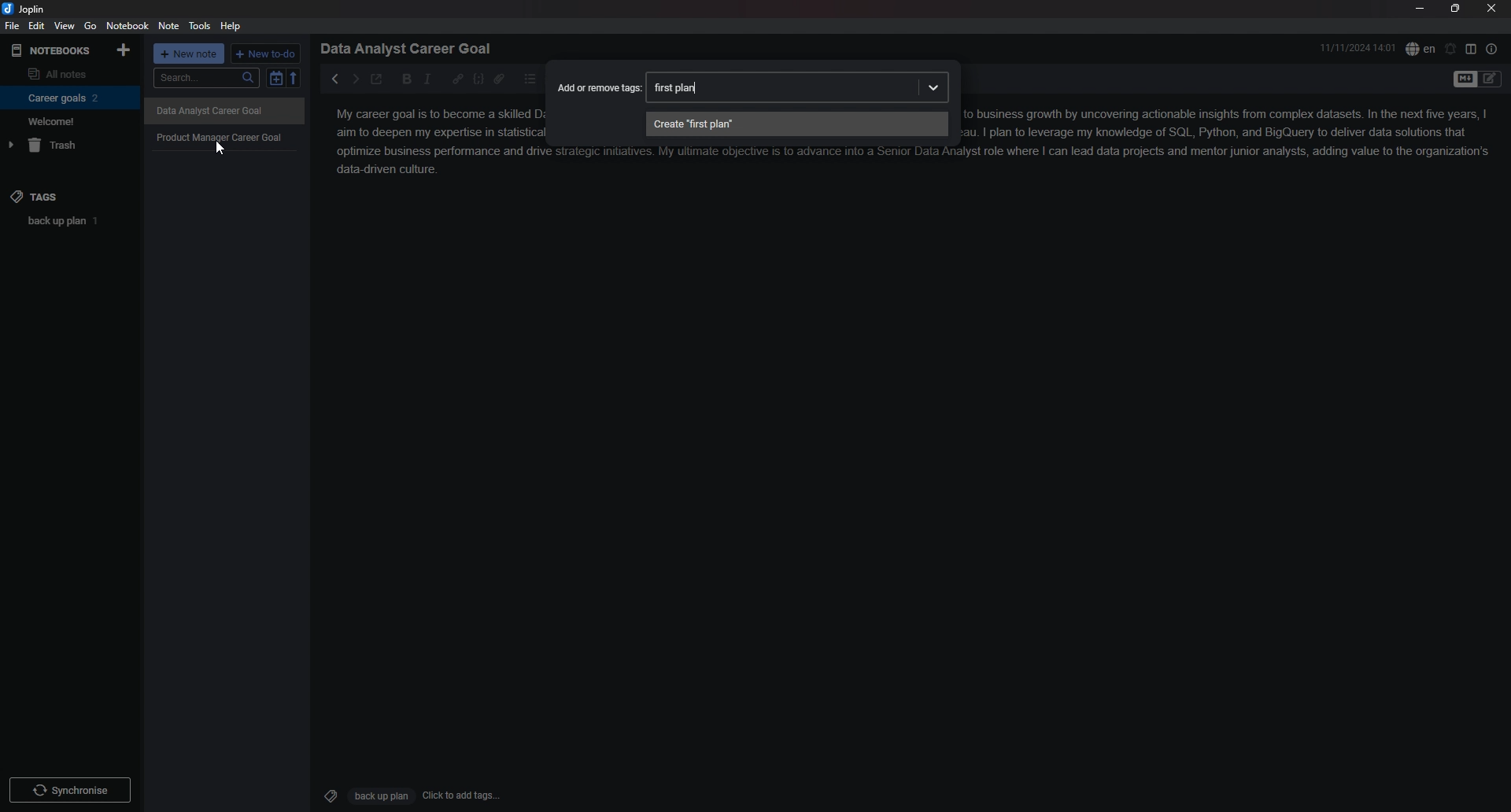 The image size is (1511, 812). Describe the element at coordinates (69, 197) in the screenshot. I see `tags` at that location.